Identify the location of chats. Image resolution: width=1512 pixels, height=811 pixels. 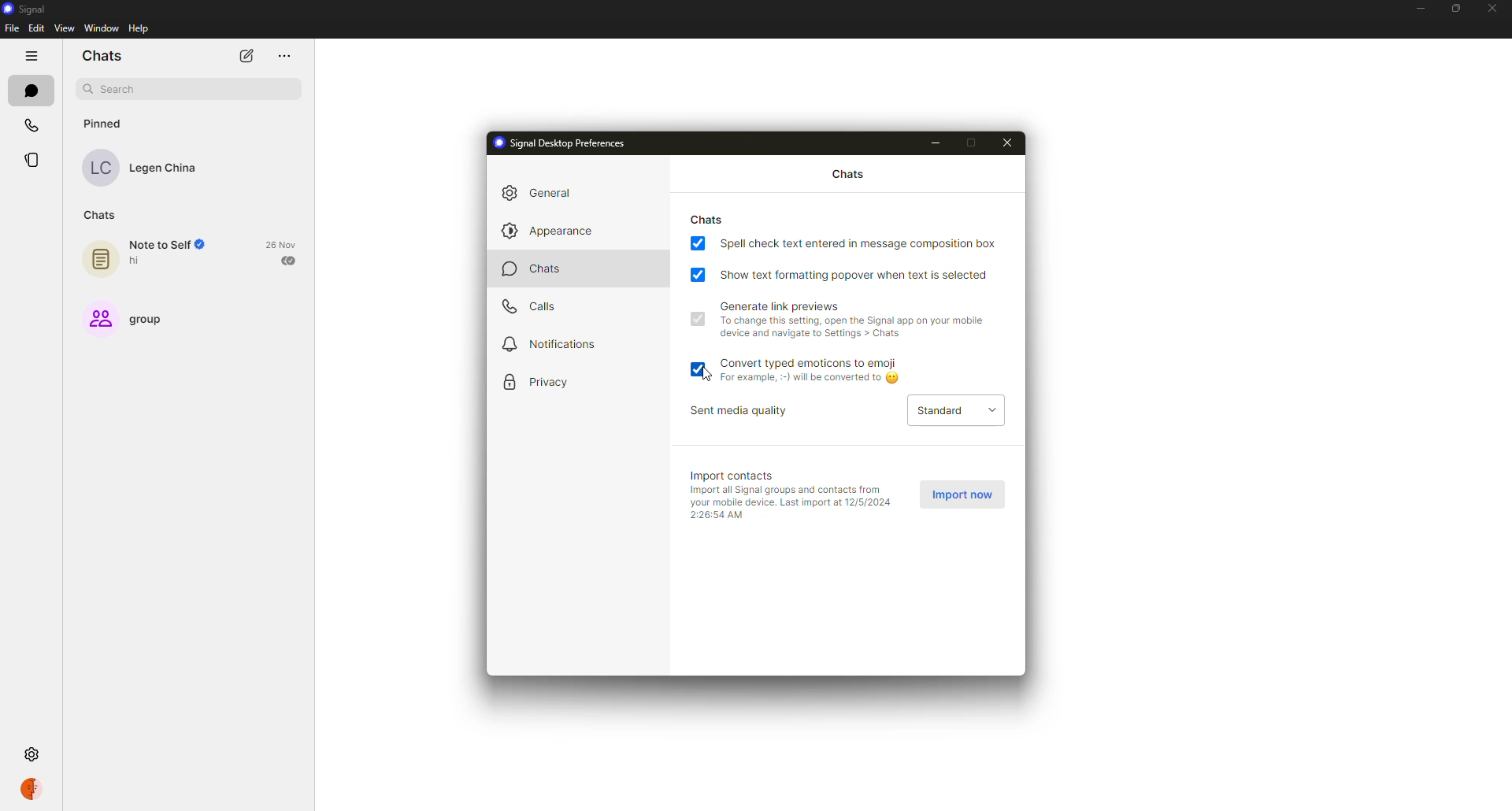
(848, 175).